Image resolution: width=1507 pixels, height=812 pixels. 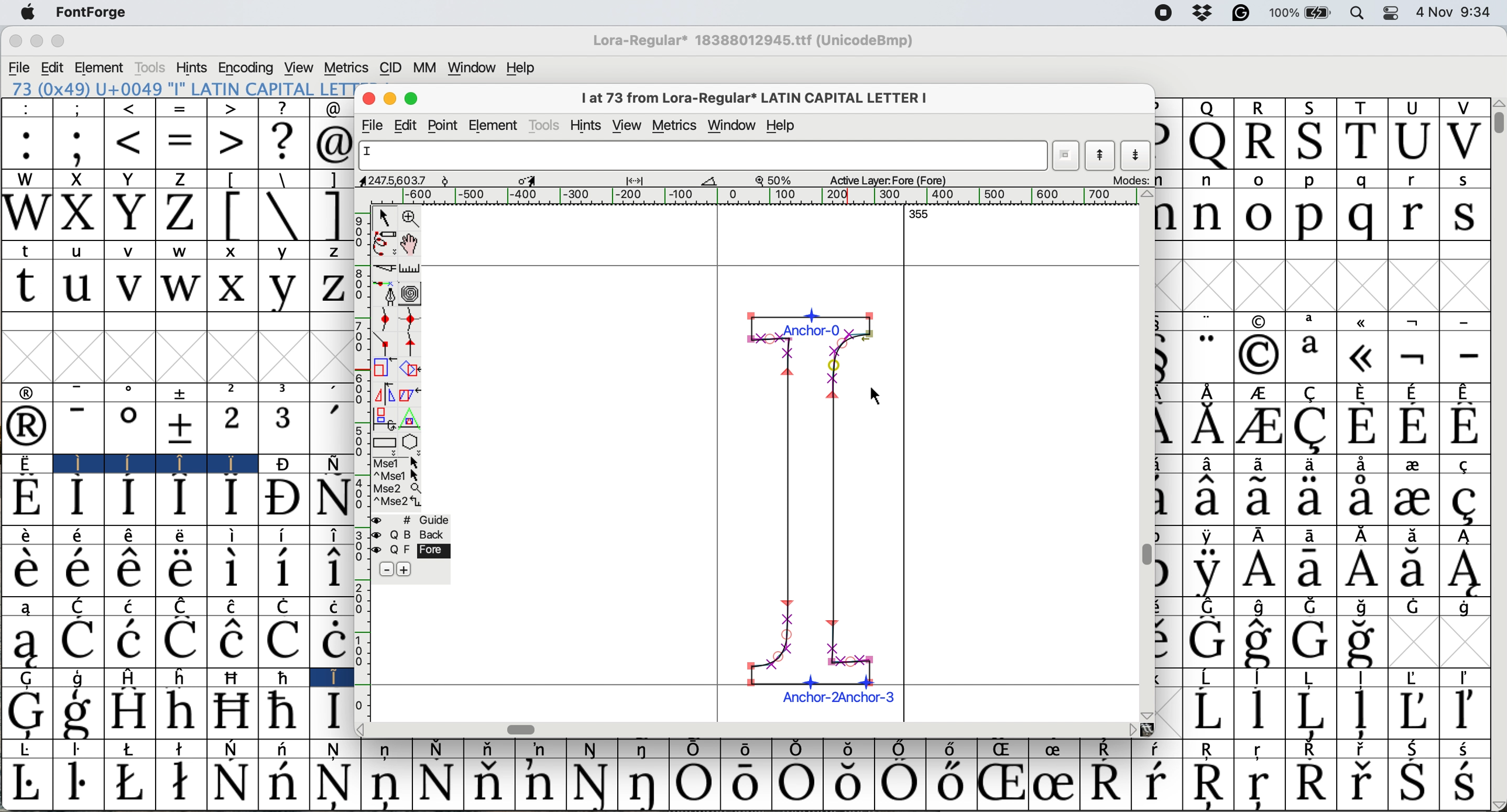 What do you see at coordinates (339, 750) in the screenshot?
I see `Symbol` at bounding box center [339, 750].